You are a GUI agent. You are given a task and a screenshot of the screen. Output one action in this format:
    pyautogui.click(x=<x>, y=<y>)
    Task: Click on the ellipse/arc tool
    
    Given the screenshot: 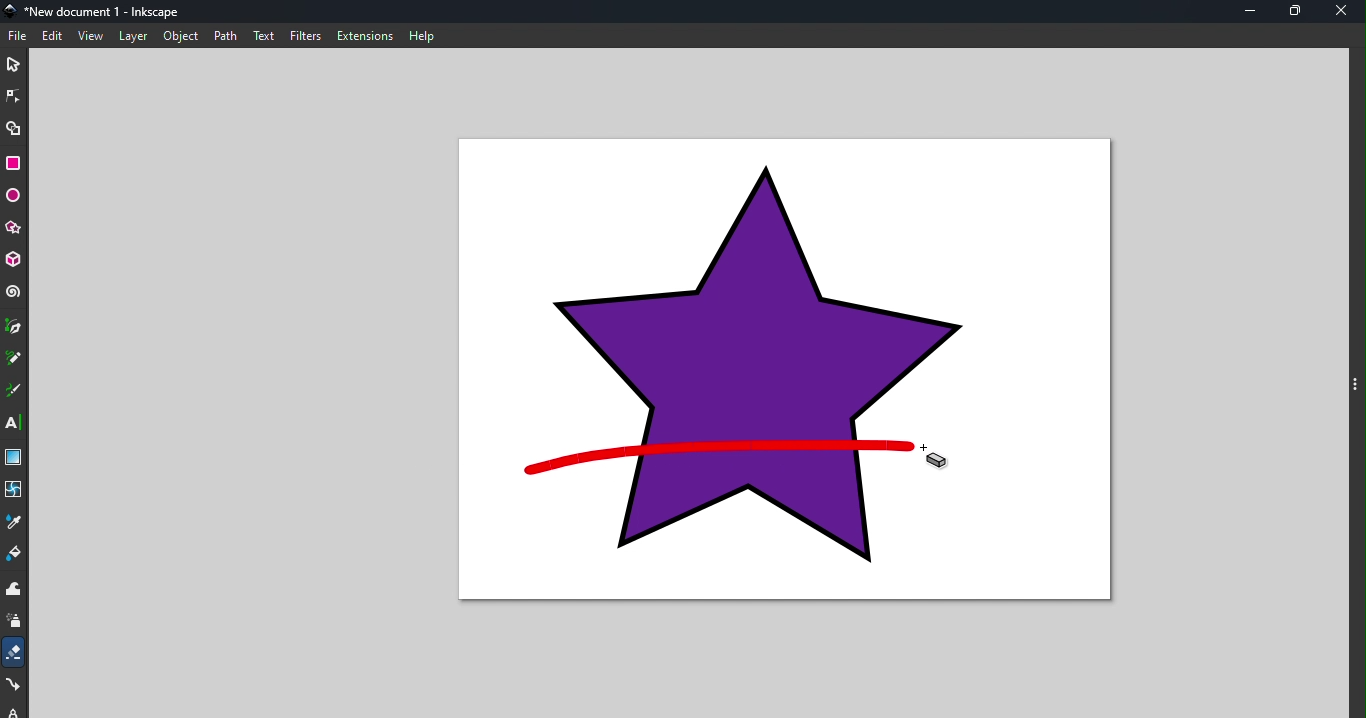 What is the action you would take?
    pyautogui.click(x=13, y=196)
    